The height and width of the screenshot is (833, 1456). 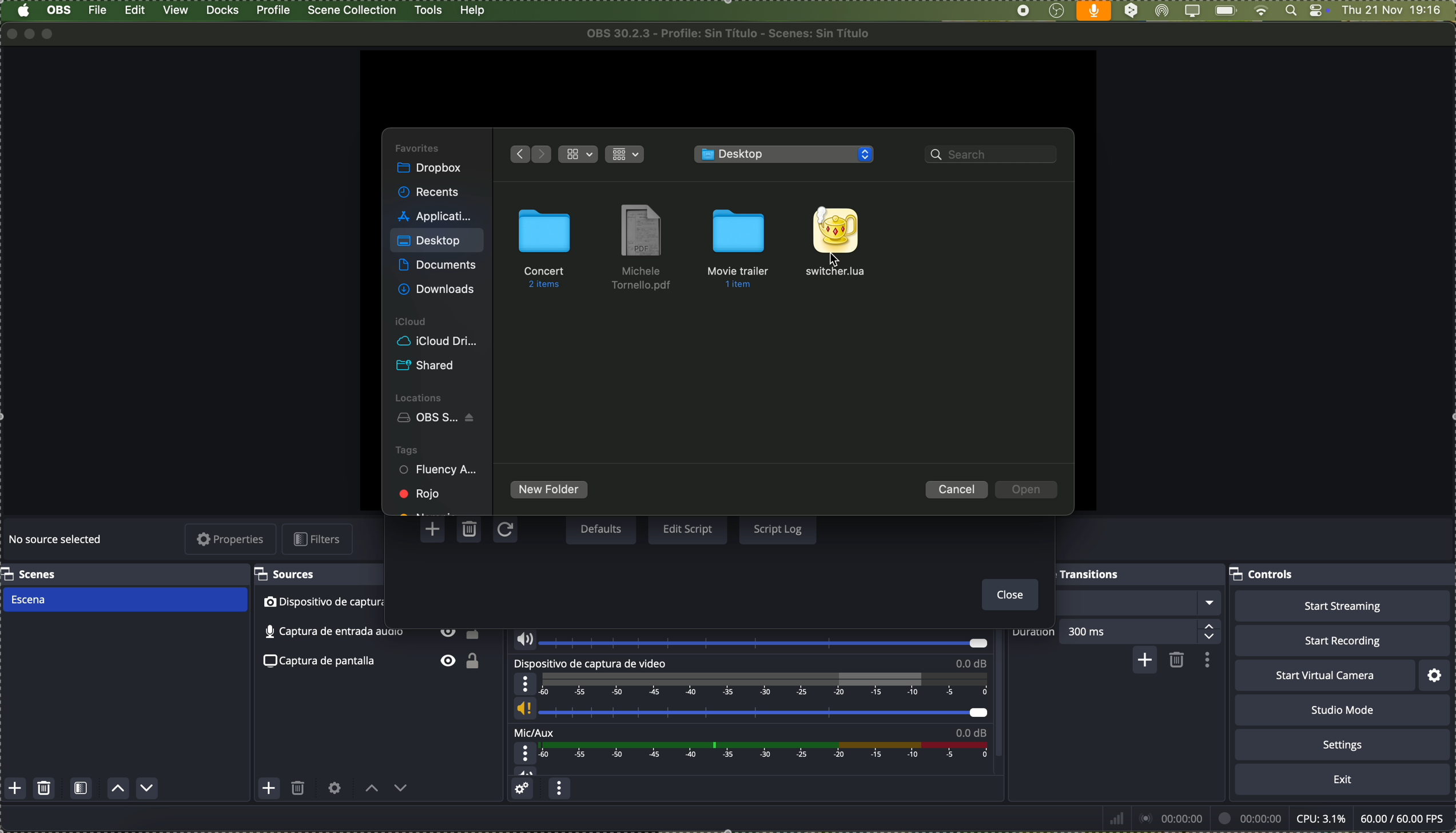 I want to click on settings, so click(x=1436, y=675).